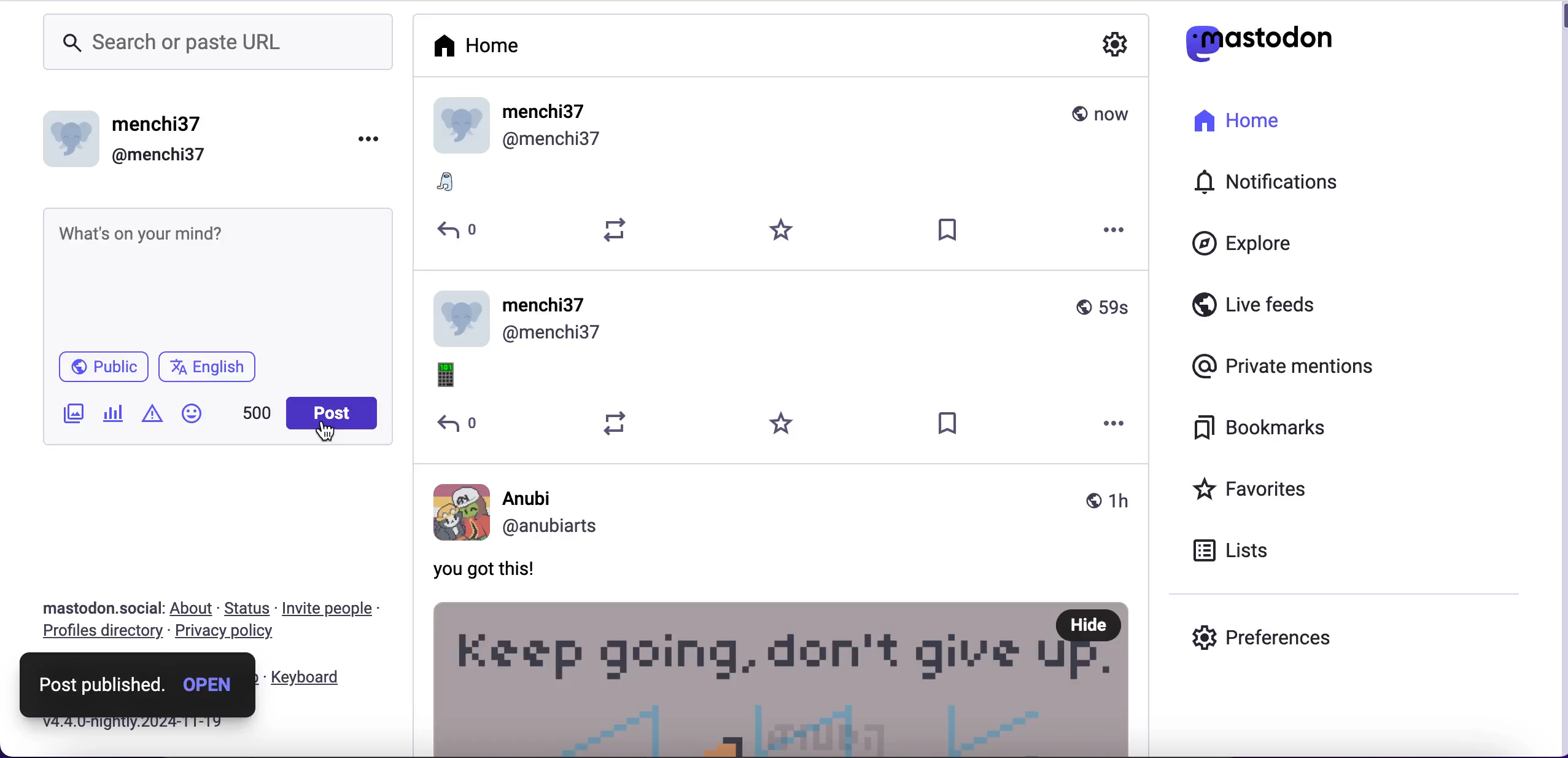 This screenshot has height=758, width=1568. I want to click on notifications, so click(1278, 181).